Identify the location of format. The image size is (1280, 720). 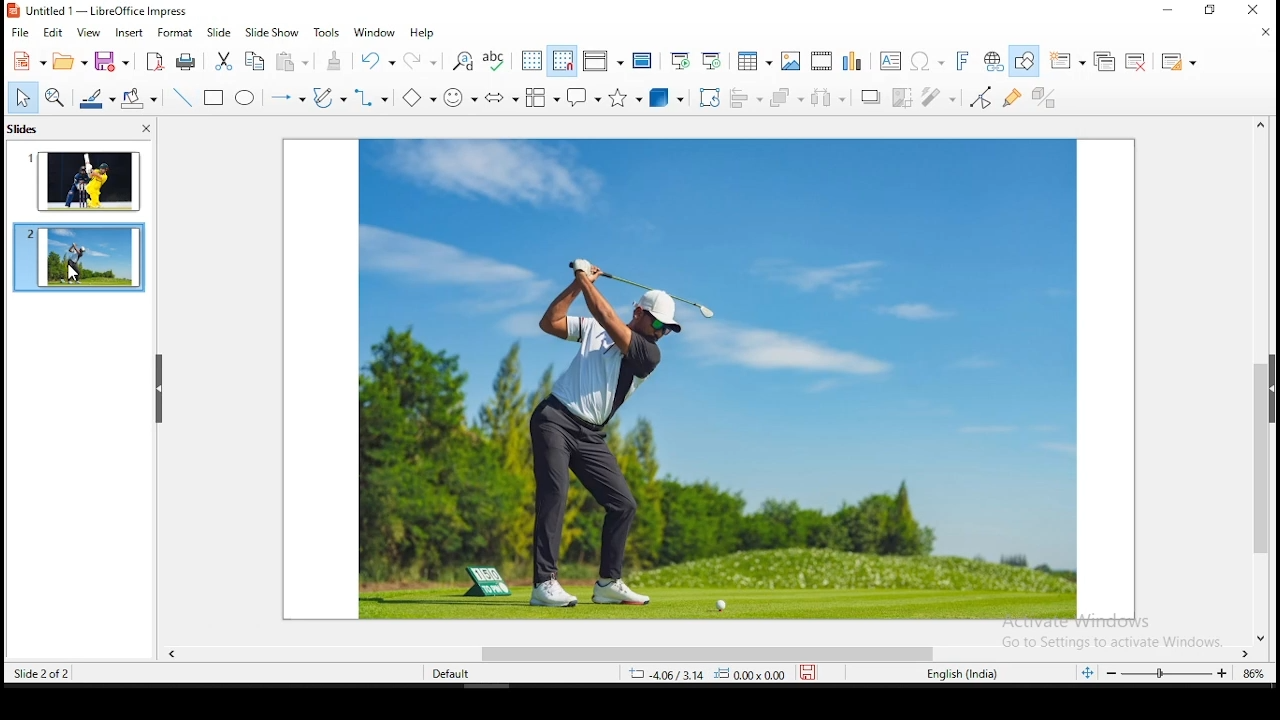
(176, 35).